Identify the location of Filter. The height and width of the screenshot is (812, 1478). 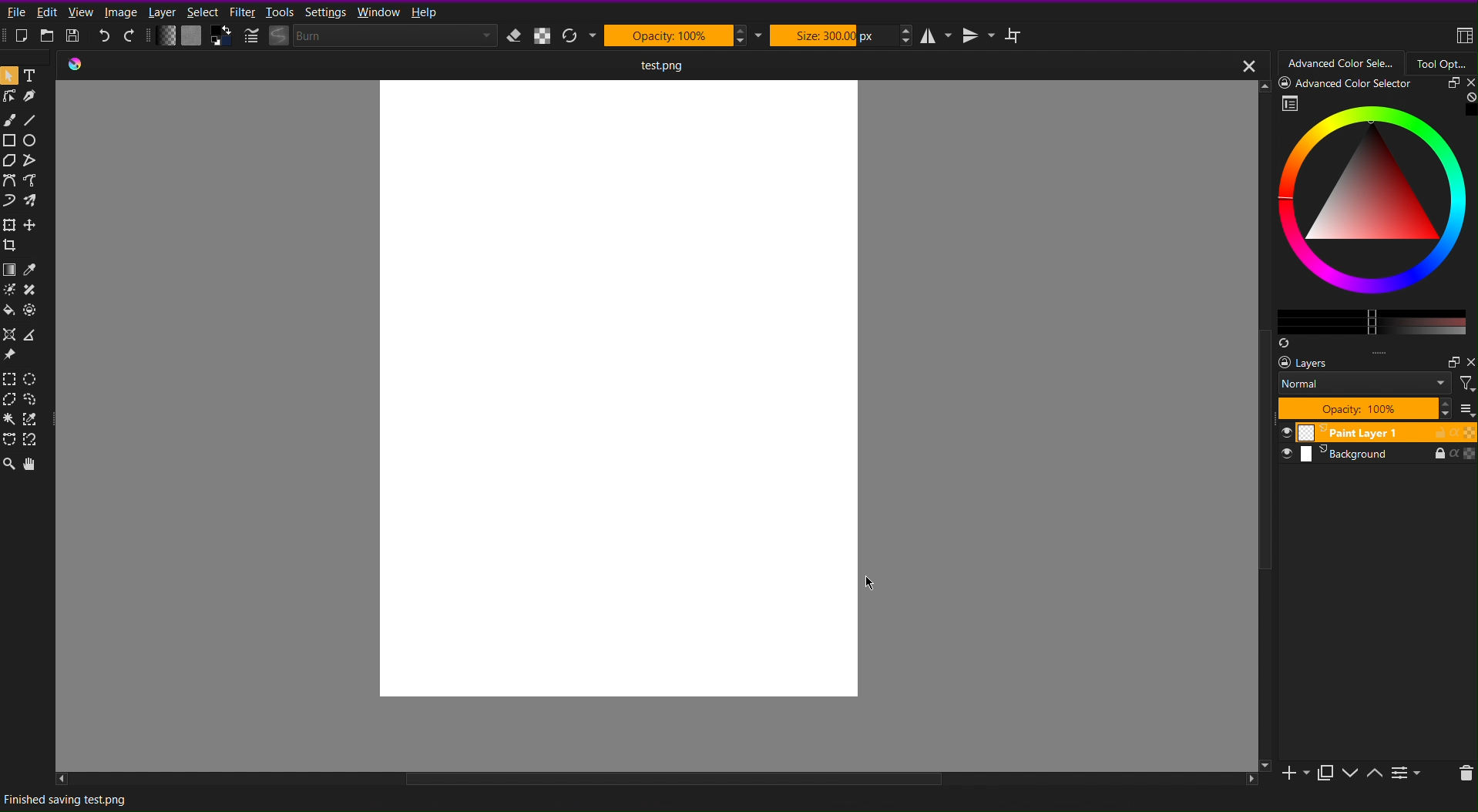
(242, 12).